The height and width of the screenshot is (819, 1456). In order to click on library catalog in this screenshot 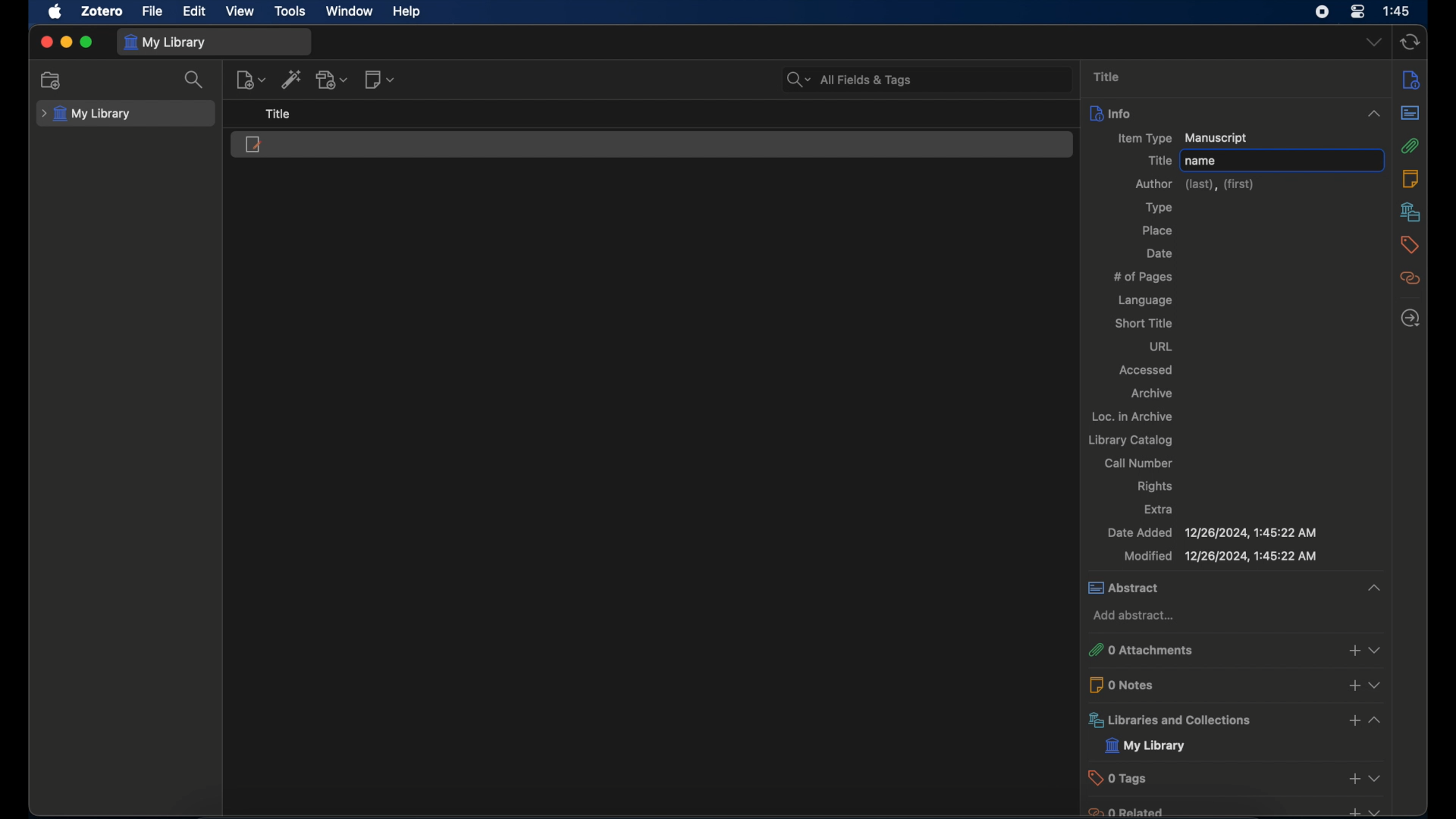, I will do `click(1130, 441)`.